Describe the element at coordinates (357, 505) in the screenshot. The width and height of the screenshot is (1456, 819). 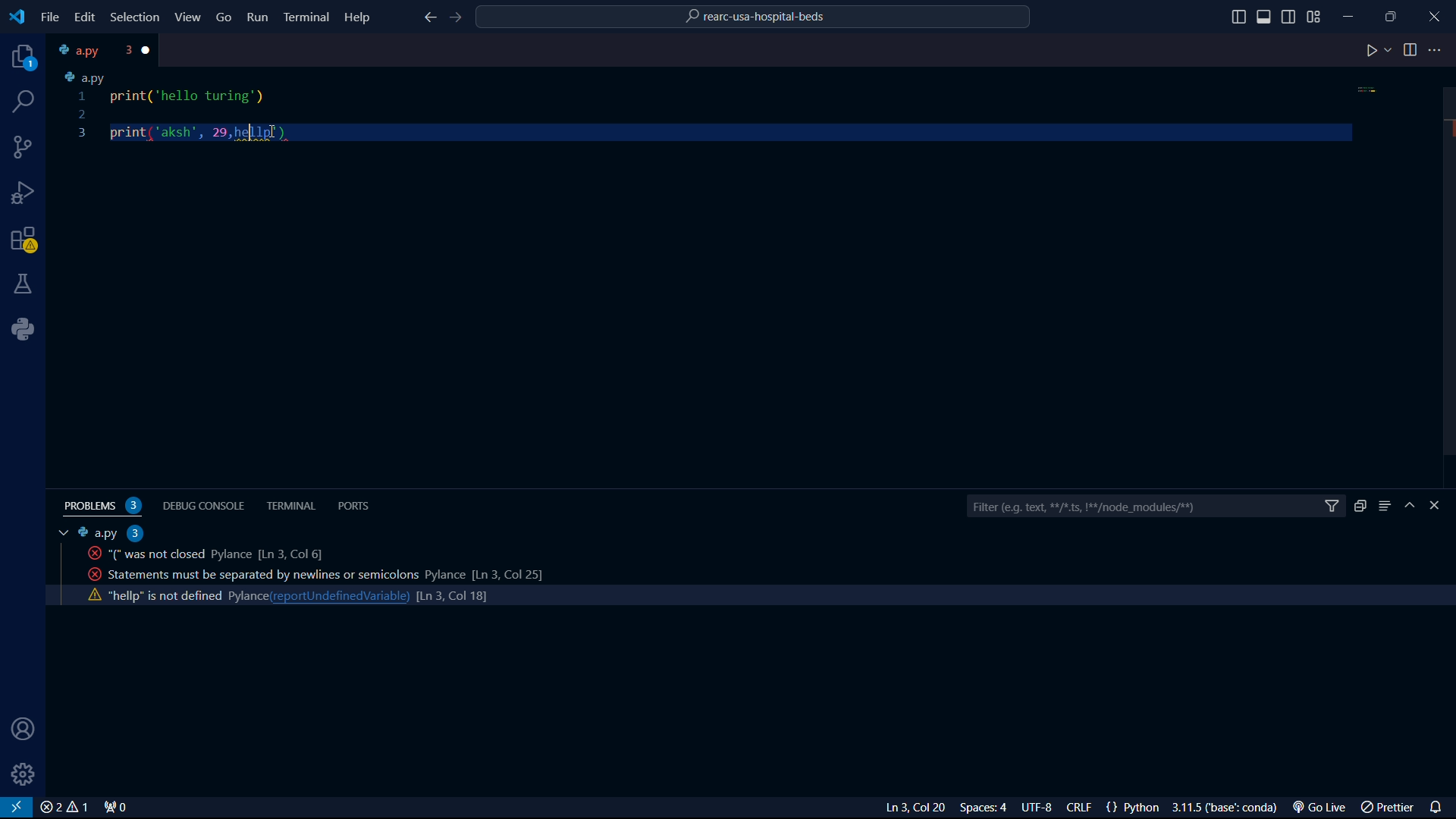
I see `ports` at that location.